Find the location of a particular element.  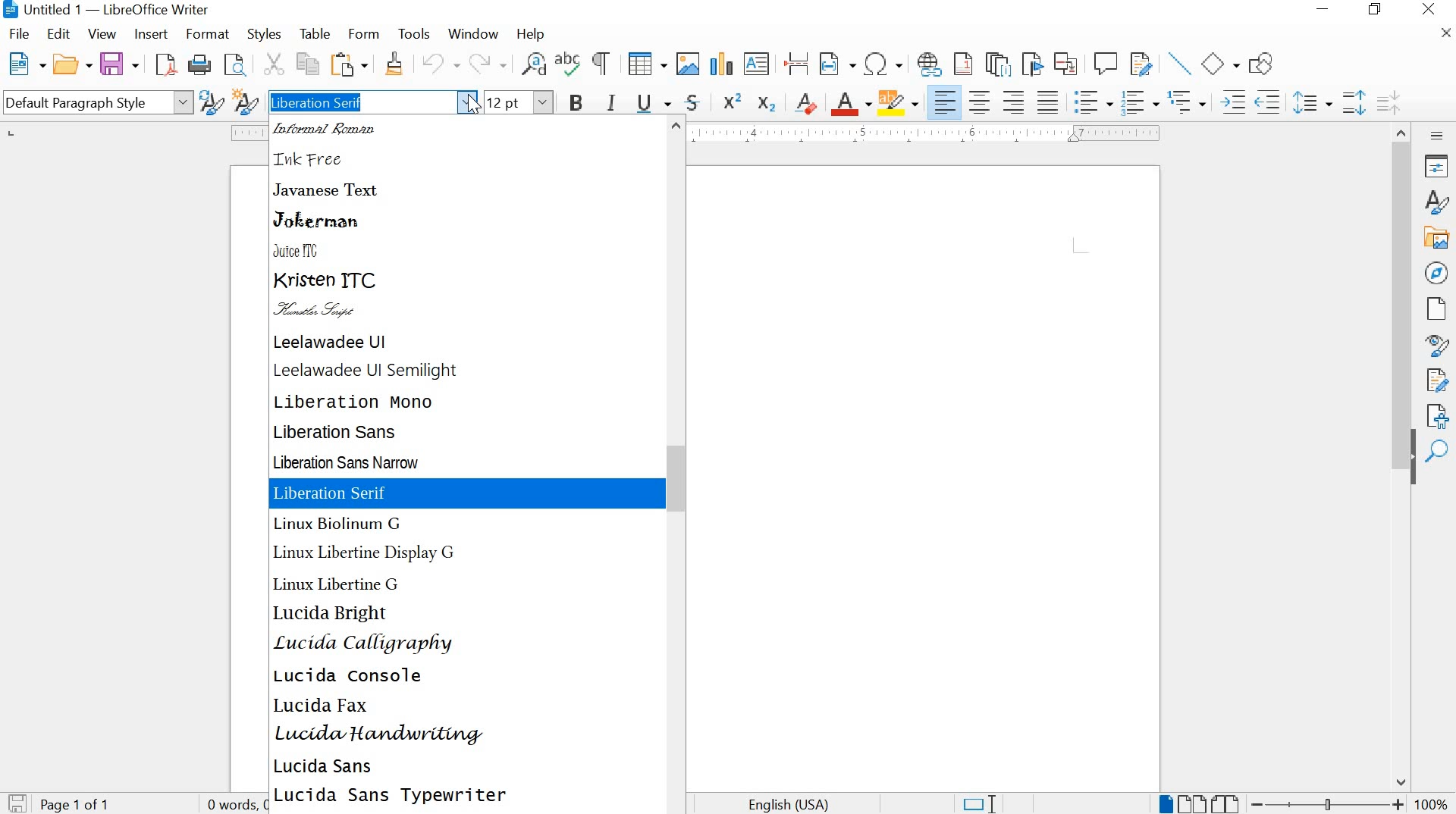

untitled 1 LibreOffice Writer is located at coordinates (111, 11).